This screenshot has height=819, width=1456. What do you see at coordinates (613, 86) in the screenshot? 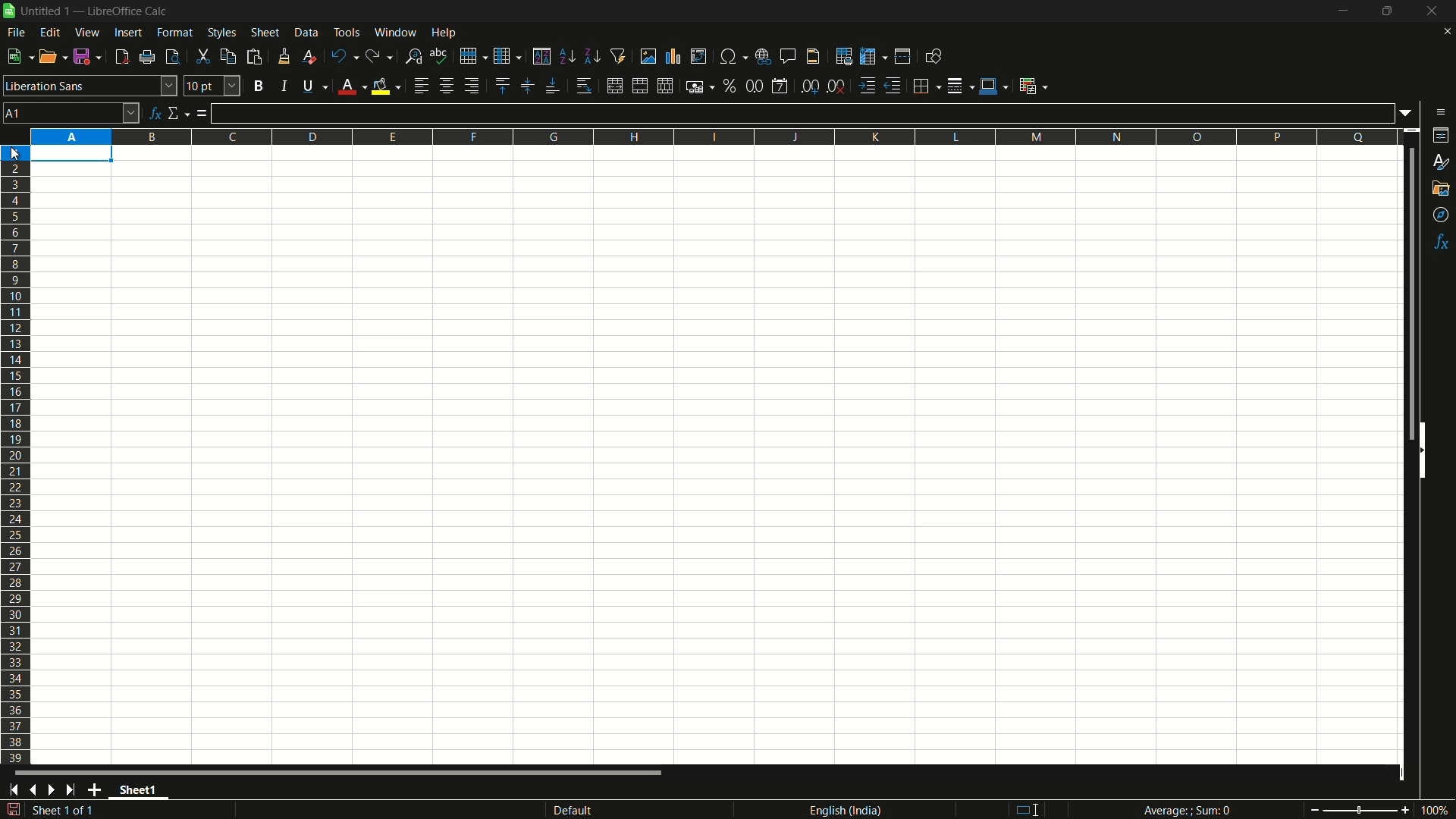
I see `merge and center or unmerge depending on the current toggle state` at bounding box center [613, 86].